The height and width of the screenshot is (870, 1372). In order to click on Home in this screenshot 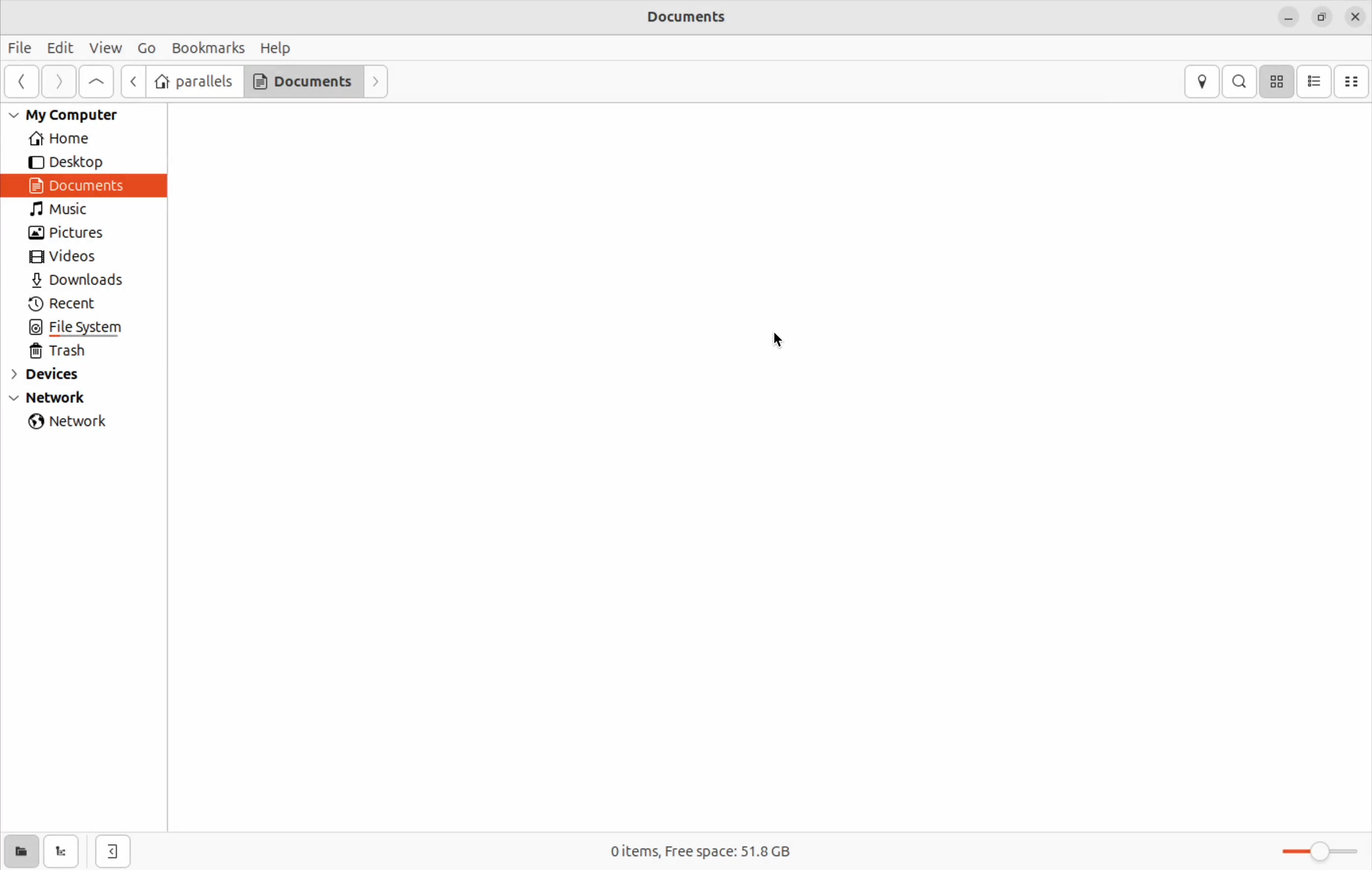, I will do `click(72, 139)`.